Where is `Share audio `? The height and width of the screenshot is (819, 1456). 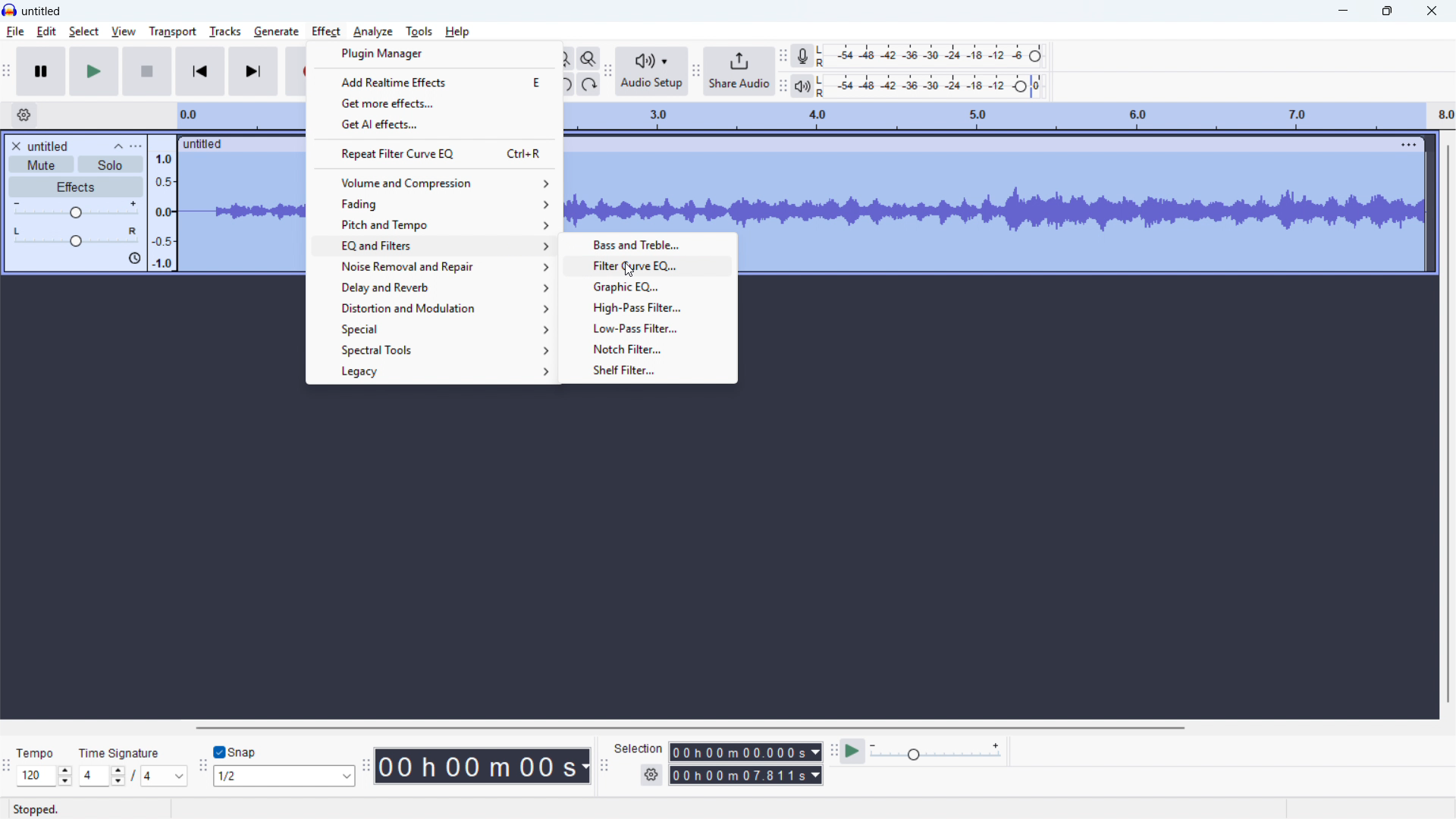
Share audio  is located at coordinates (738, 71).